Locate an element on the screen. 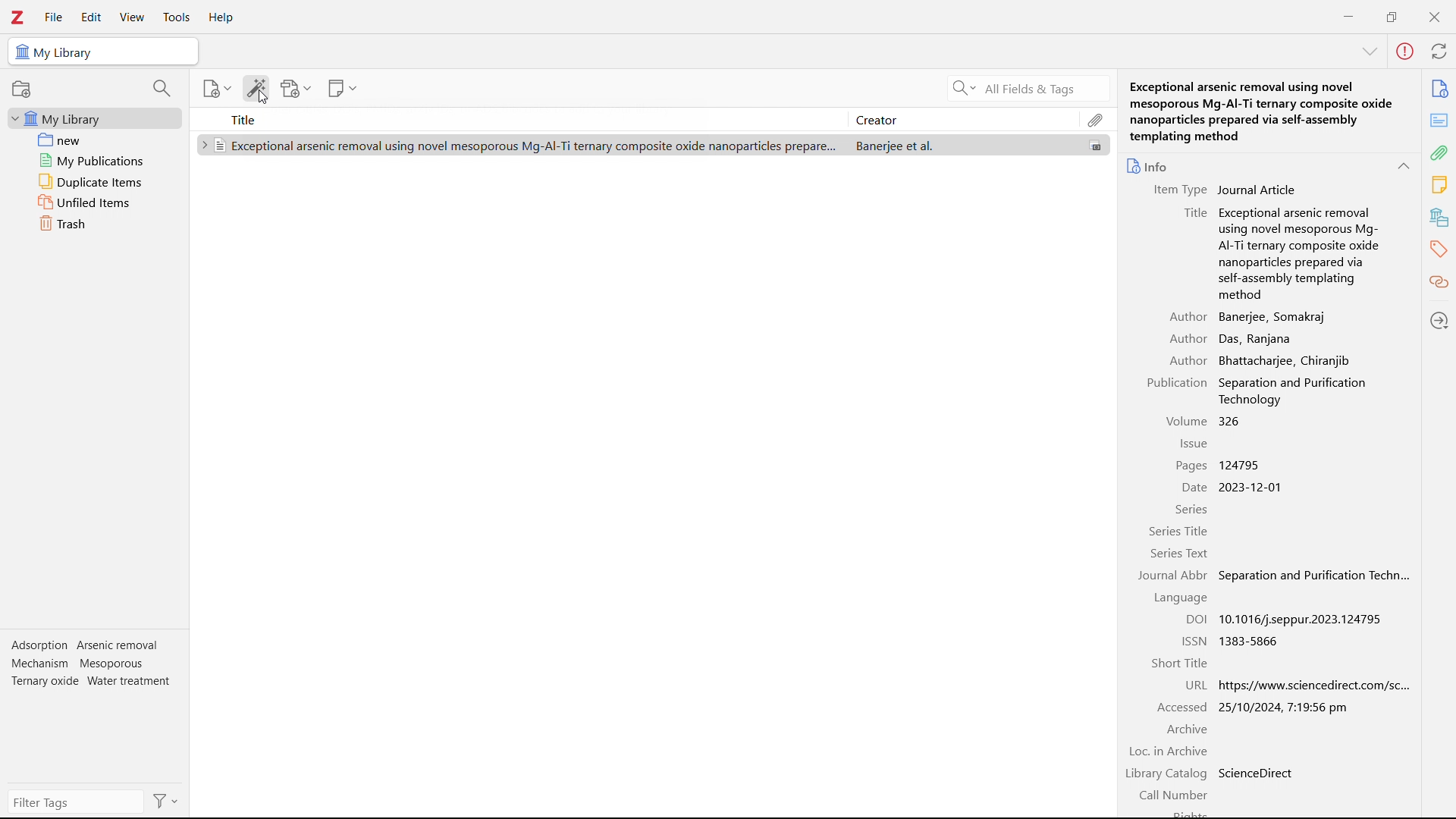 The width and height of the screenshot is (1456, 819). Banerjee et. al is located at coordinates (962, 145).